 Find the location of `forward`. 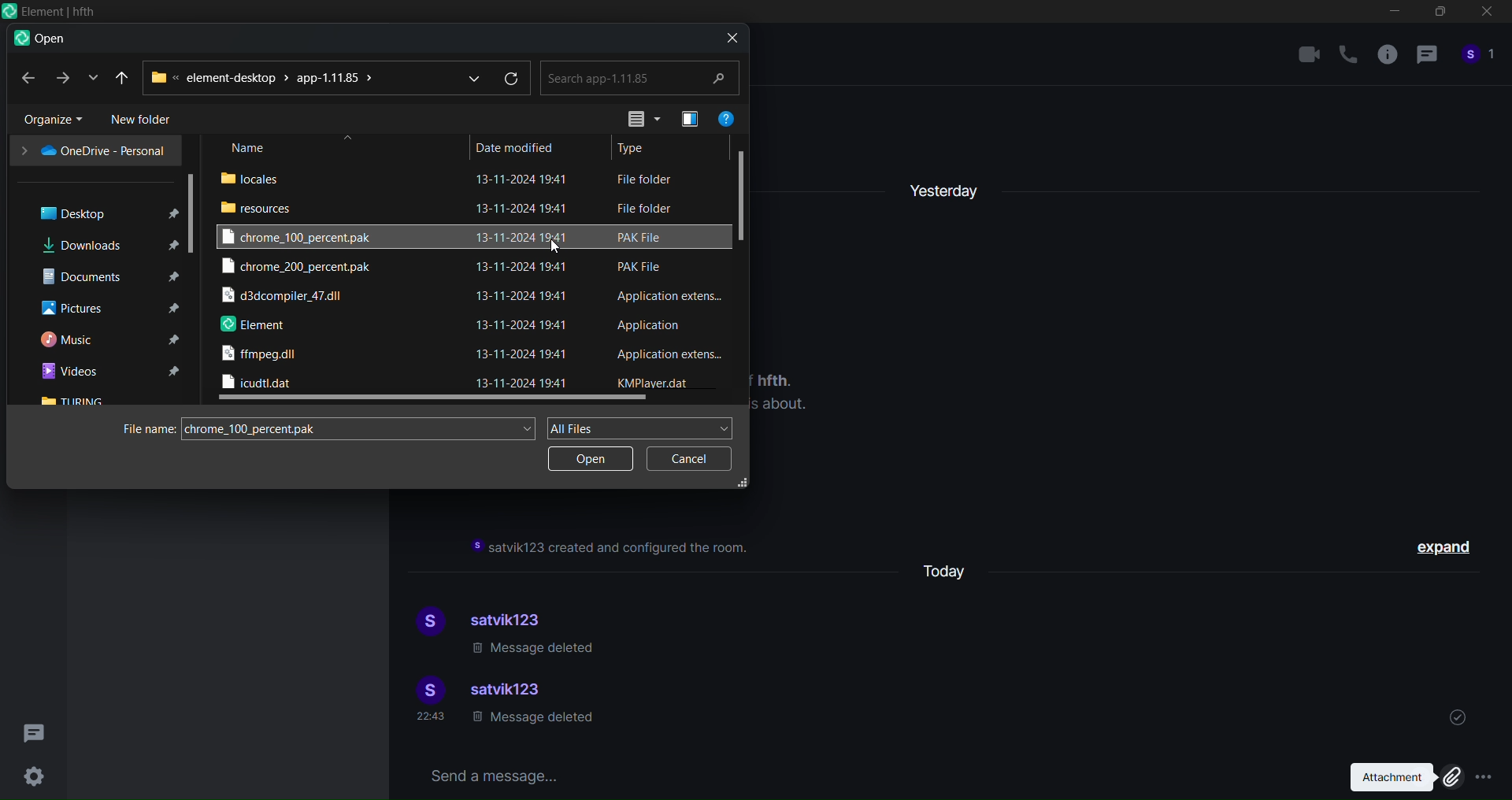

forward is located at coordinates (61, 78).